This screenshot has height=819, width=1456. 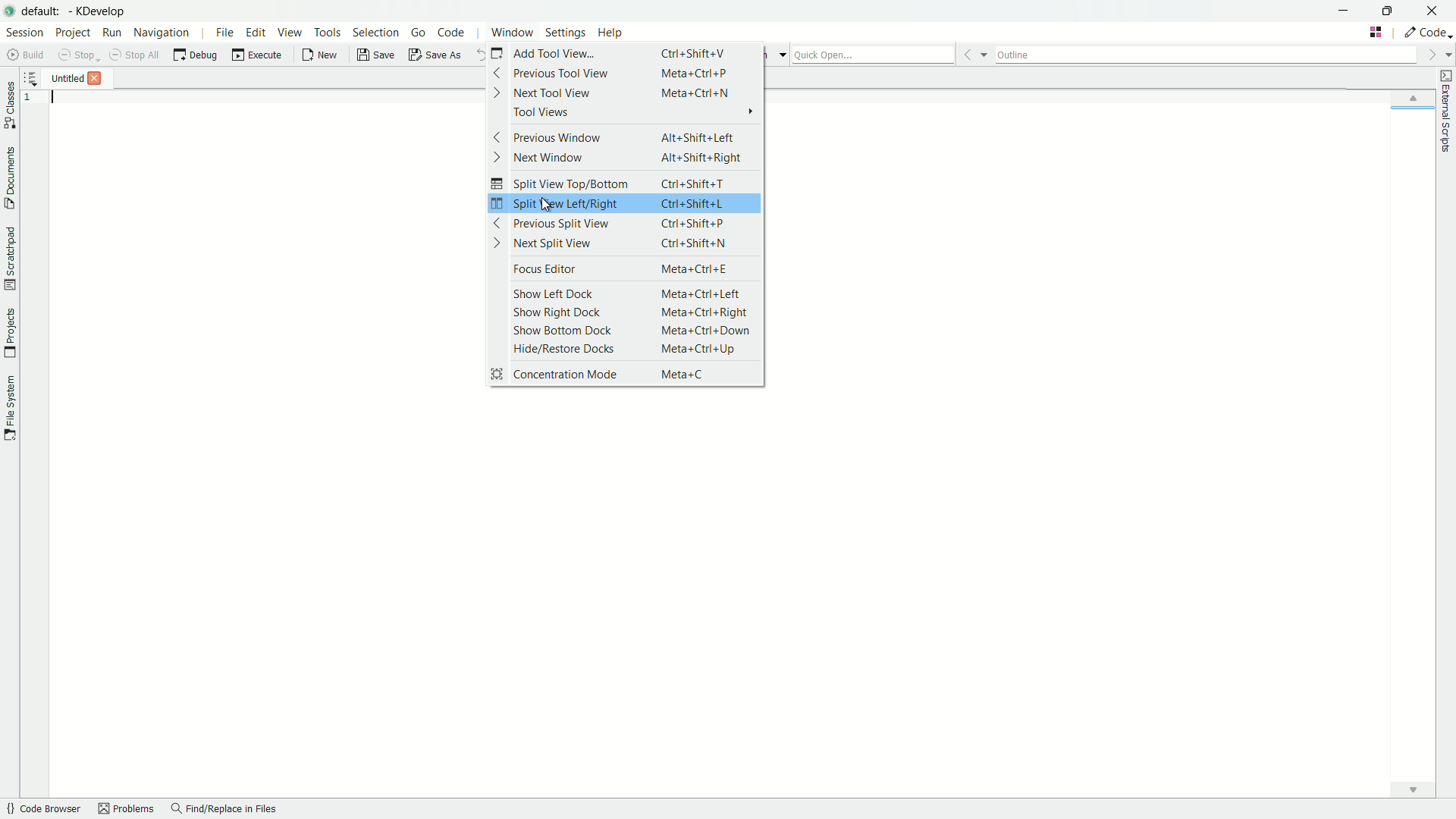 I want to click on , so click(x=98, y=78).